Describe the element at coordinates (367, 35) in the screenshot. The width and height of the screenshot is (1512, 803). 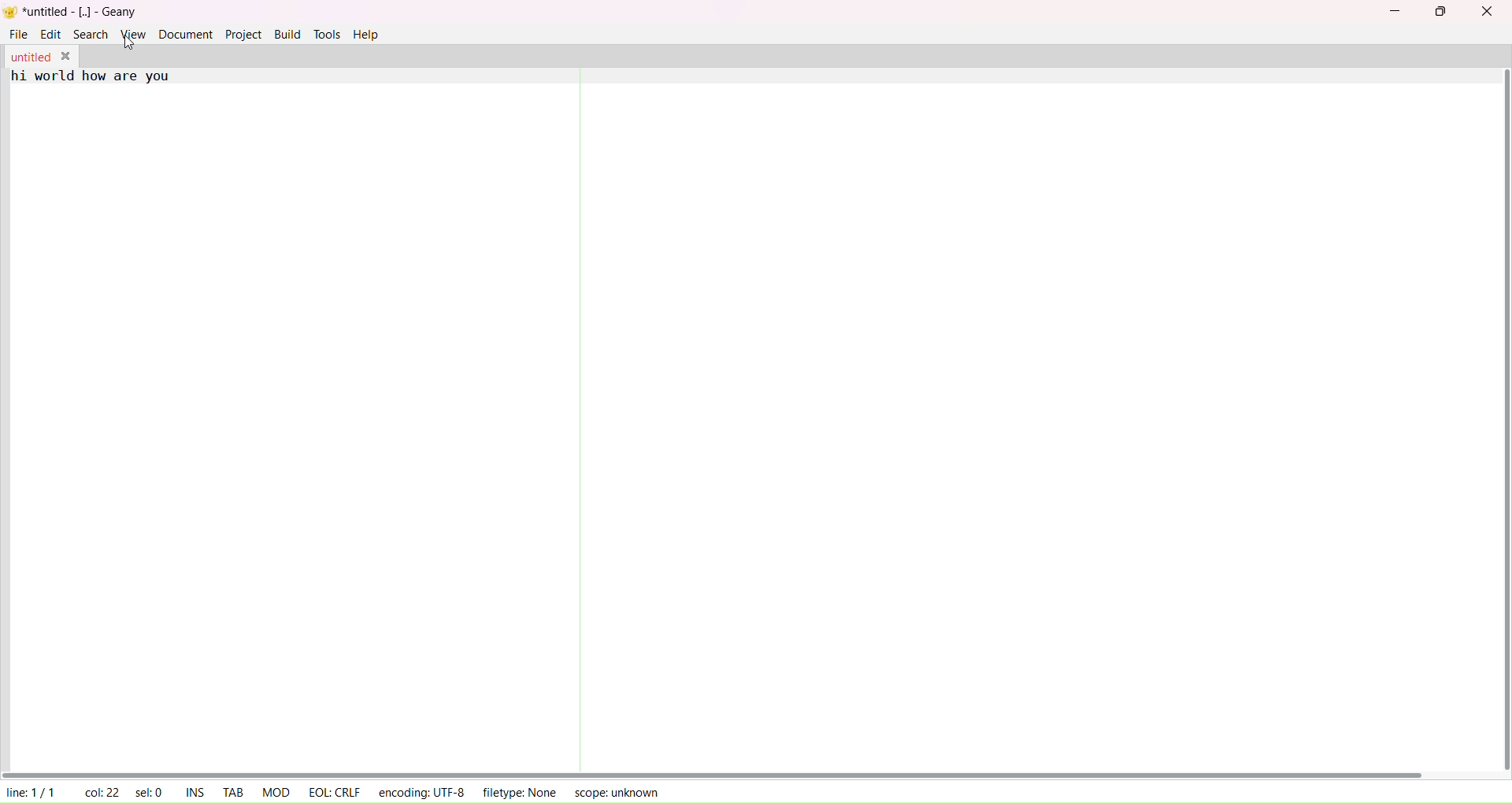
I see `help` at that location.